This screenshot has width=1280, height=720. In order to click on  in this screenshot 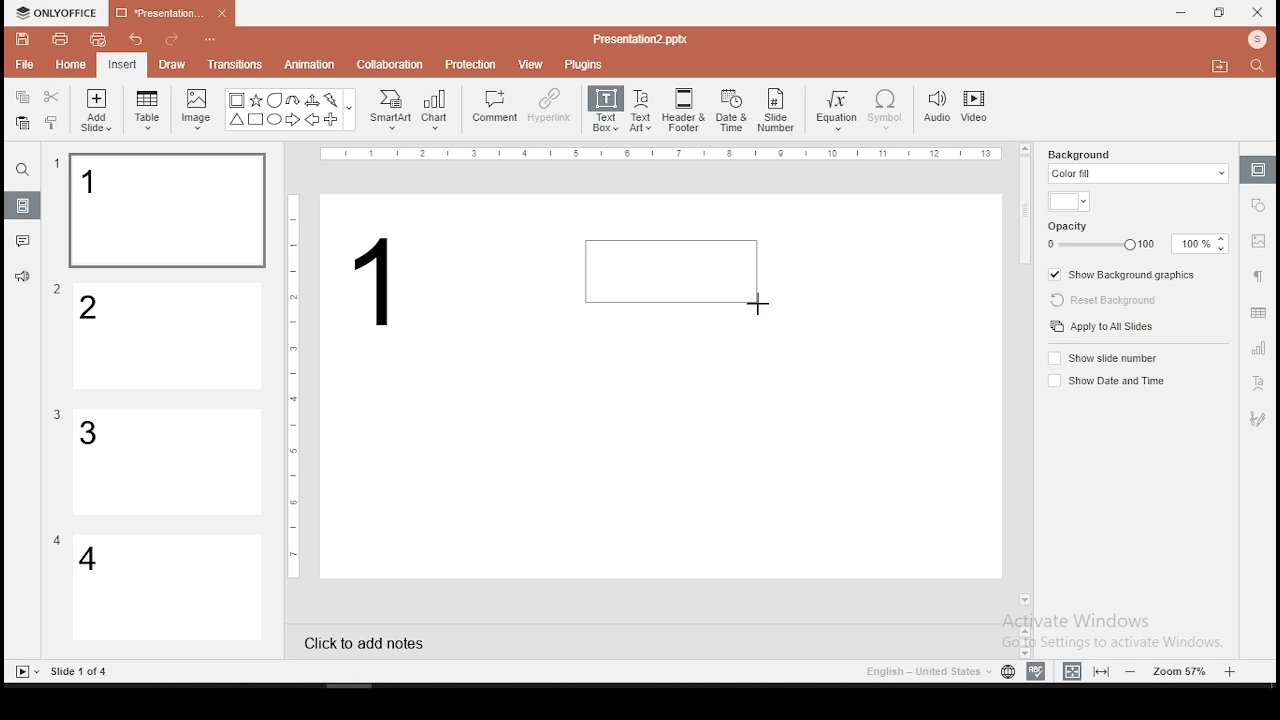, I will do `click(57, 540)`.